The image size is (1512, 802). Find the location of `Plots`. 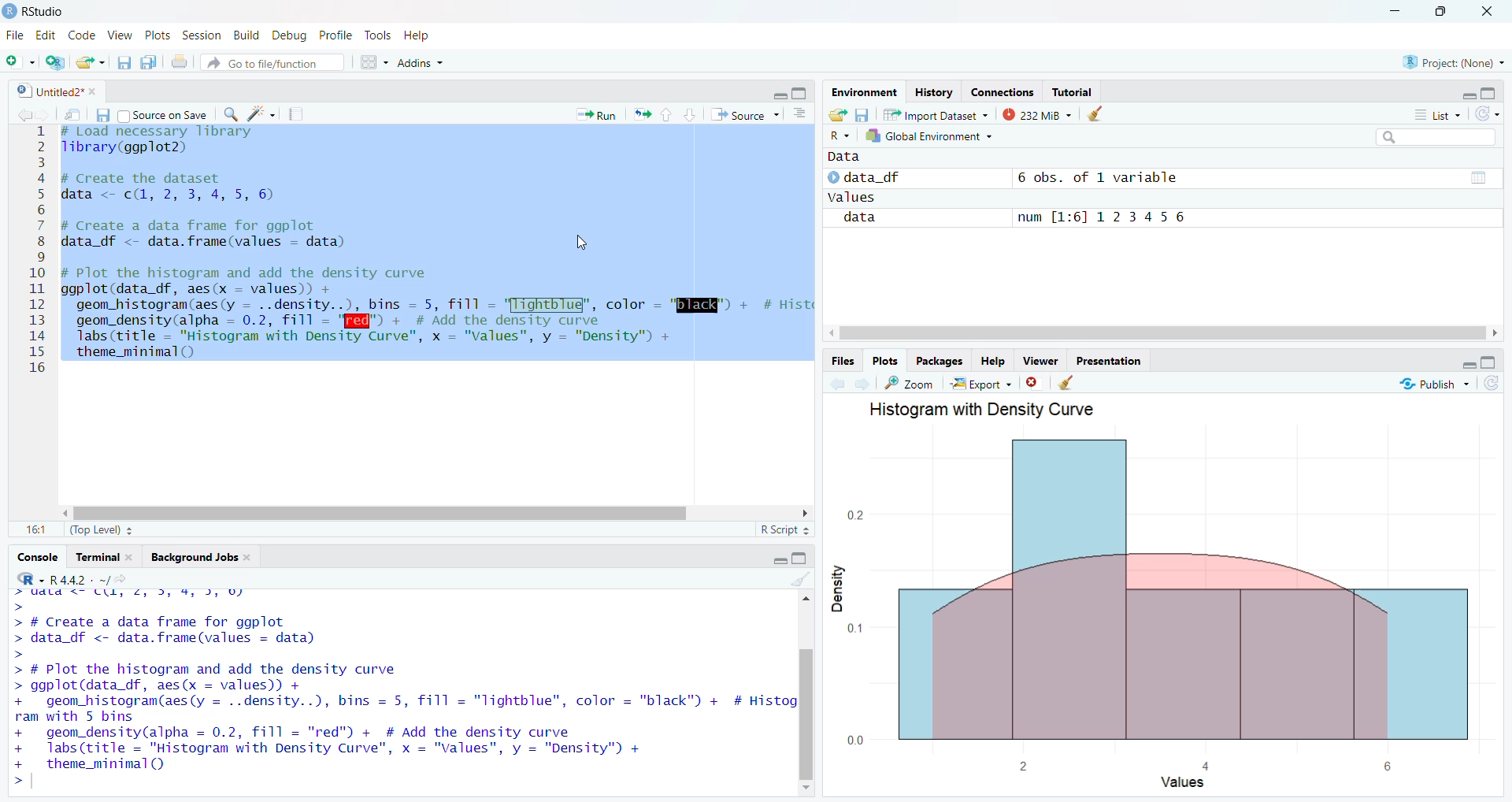

Plots is located at coordinates (885, 359).